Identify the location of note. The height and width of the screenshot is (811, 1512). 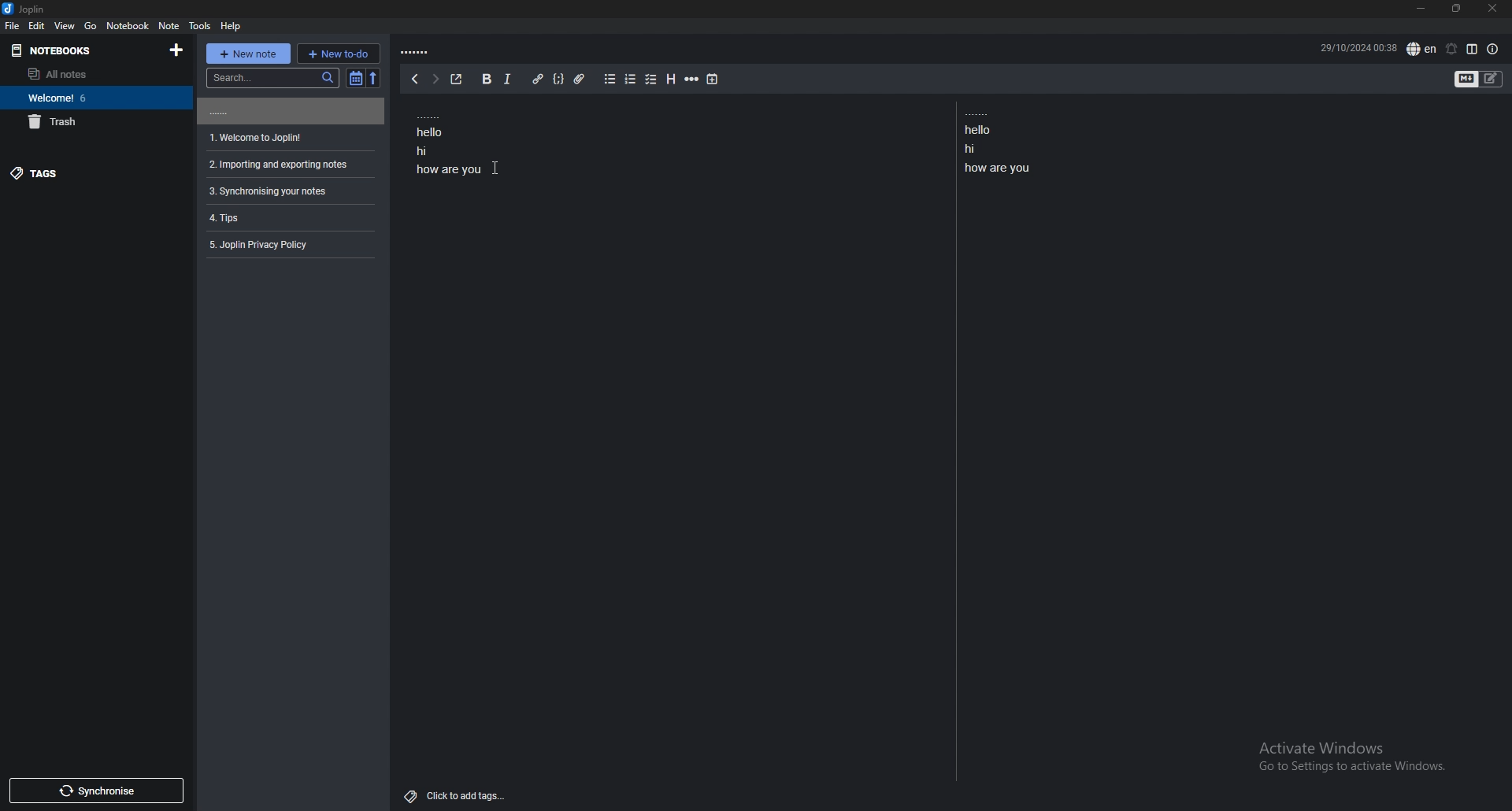
(287, 217).